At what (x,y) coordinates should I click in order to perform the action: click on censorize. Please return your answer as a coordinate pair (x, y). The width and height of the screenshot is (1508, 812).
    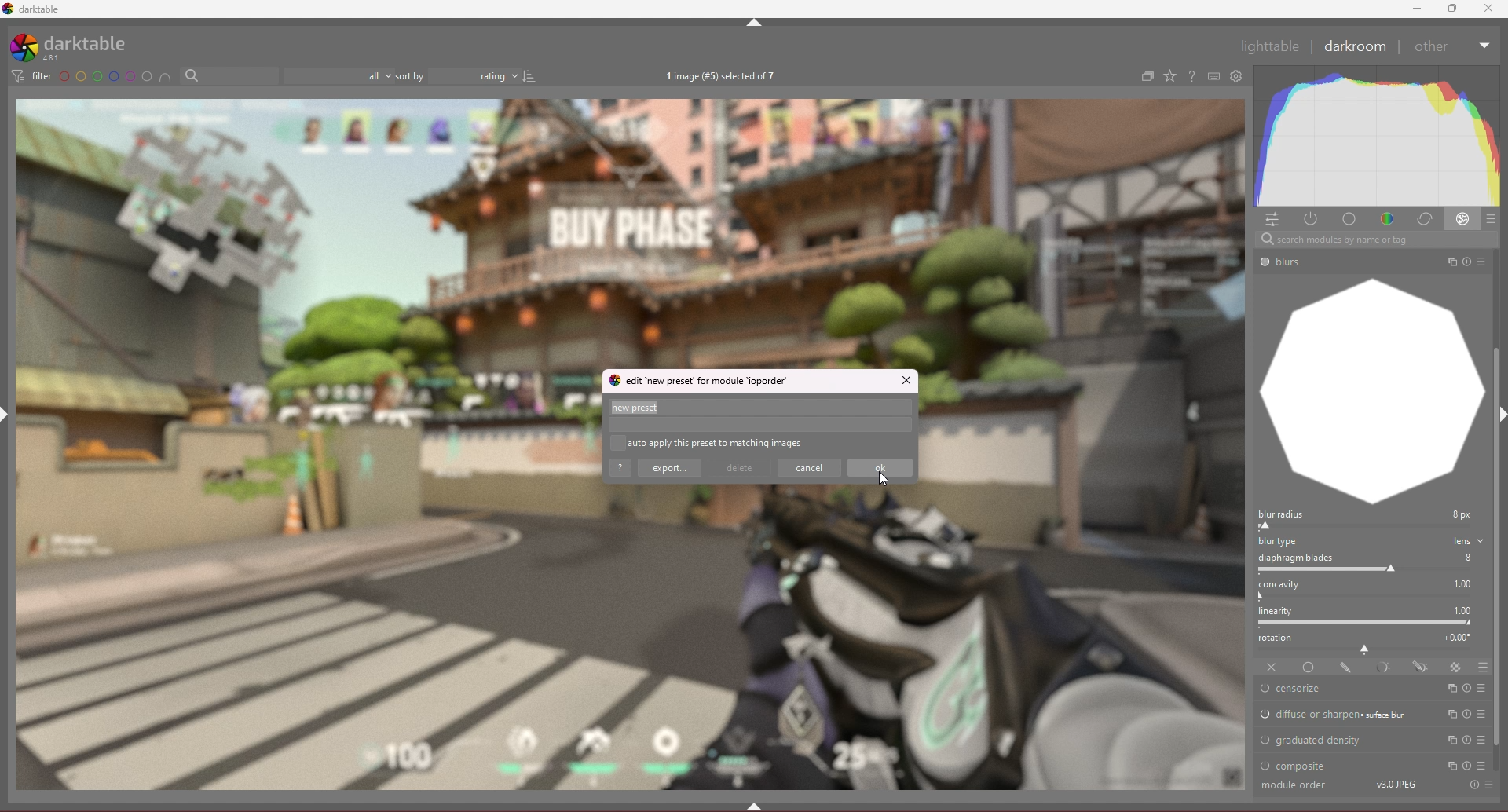
    Looking at the image, I should click on (1305, 689).